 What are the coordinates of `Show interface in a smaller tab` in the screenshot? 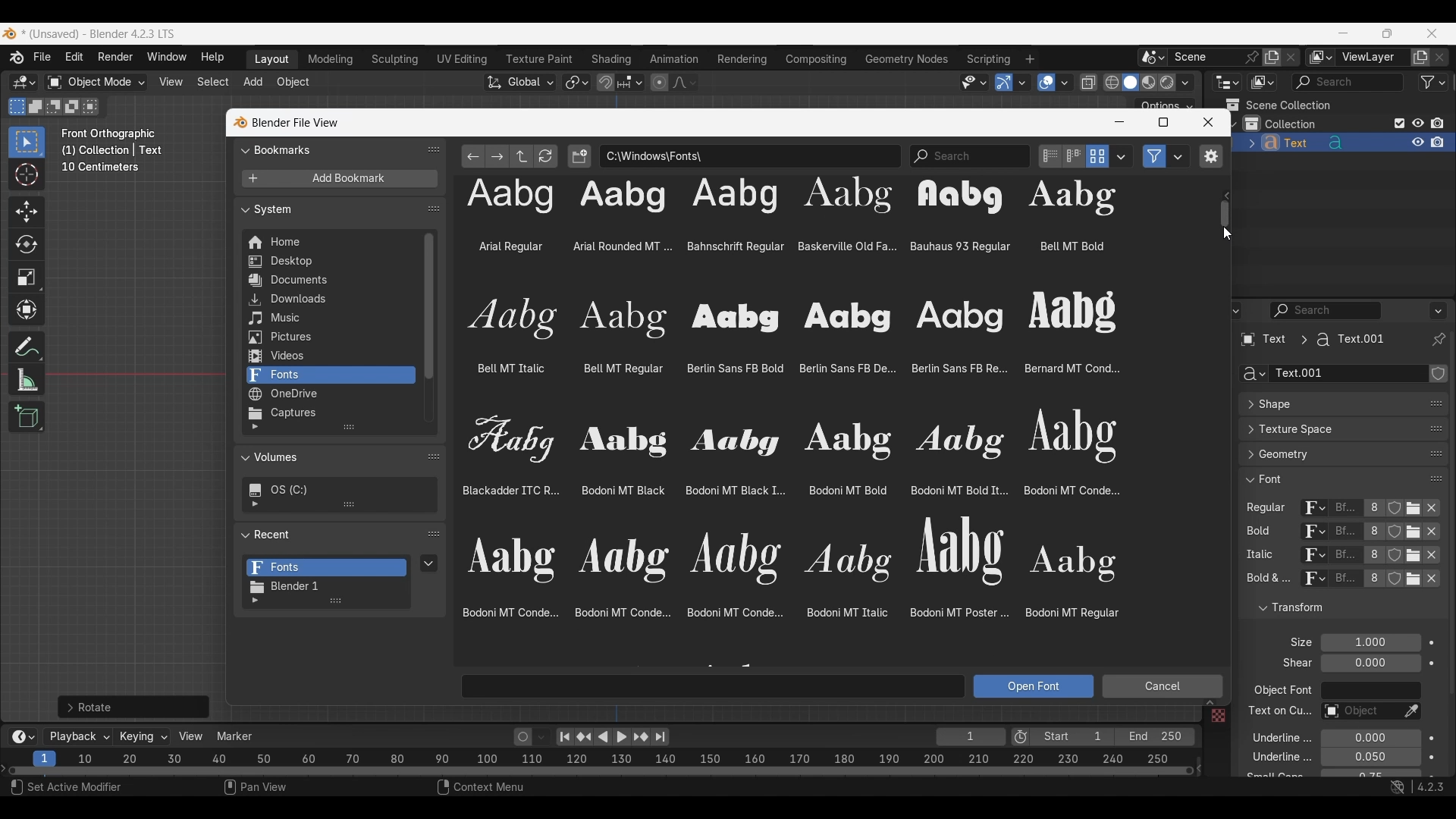 It's located at (1387, 33).